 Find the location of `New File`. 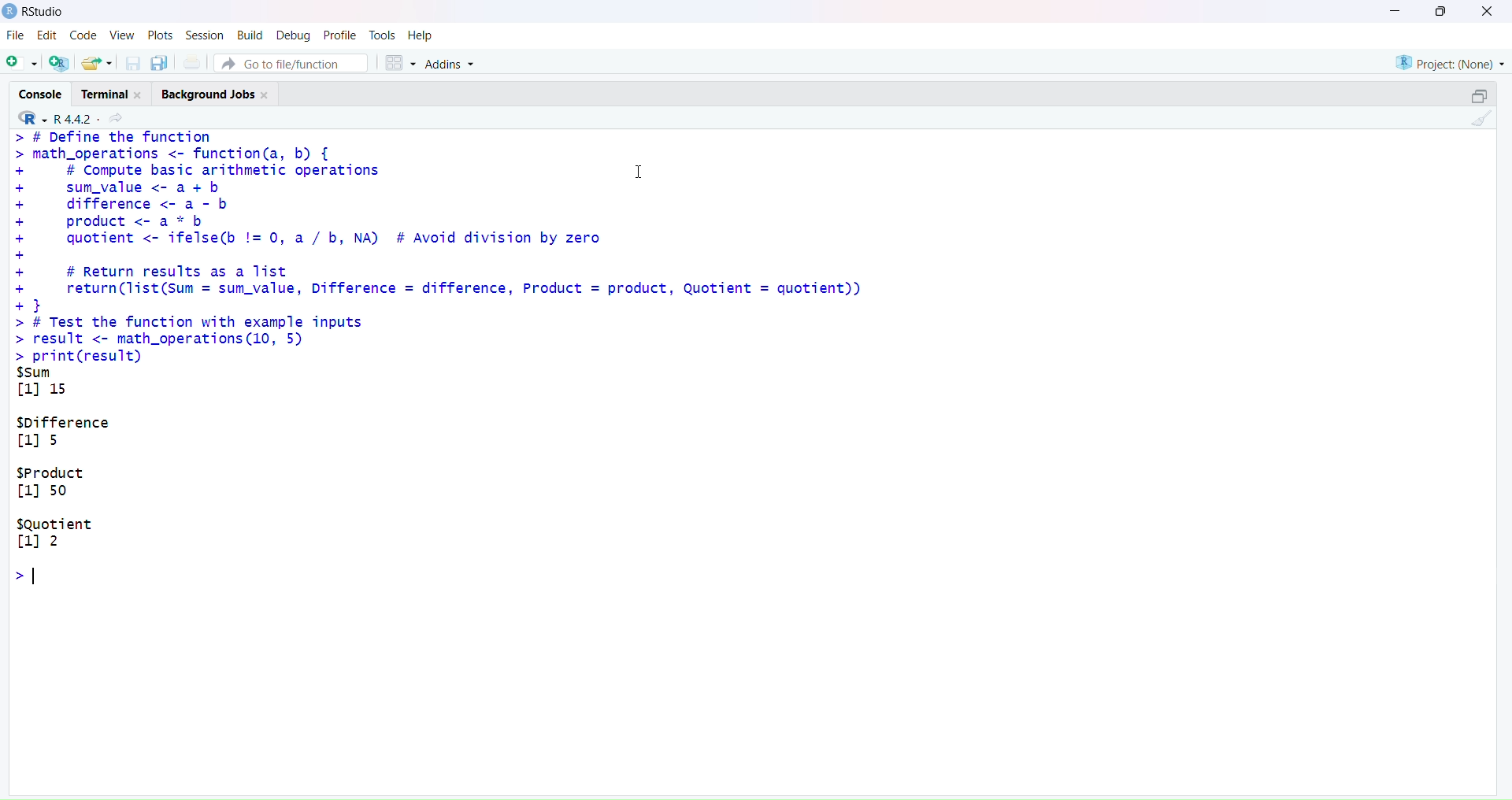

New File is located at coordinates (20, 61).